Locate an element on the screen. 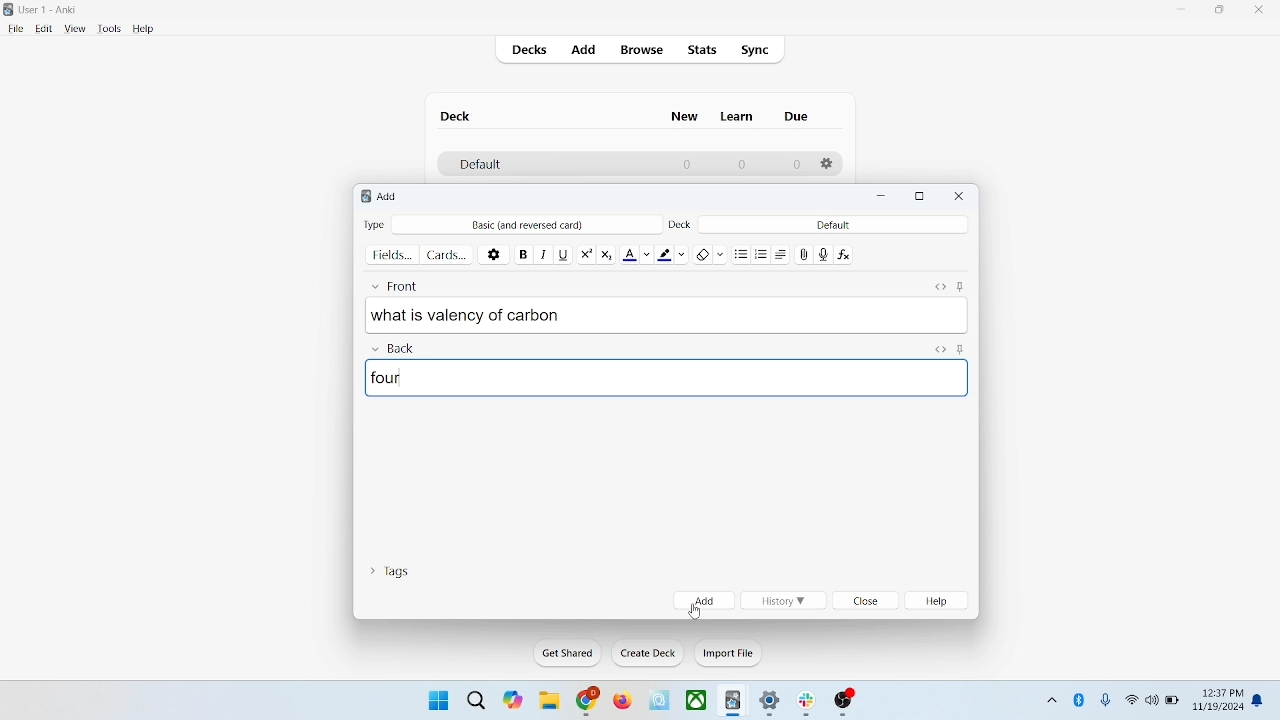  close is located at coordinates (1263, 12).